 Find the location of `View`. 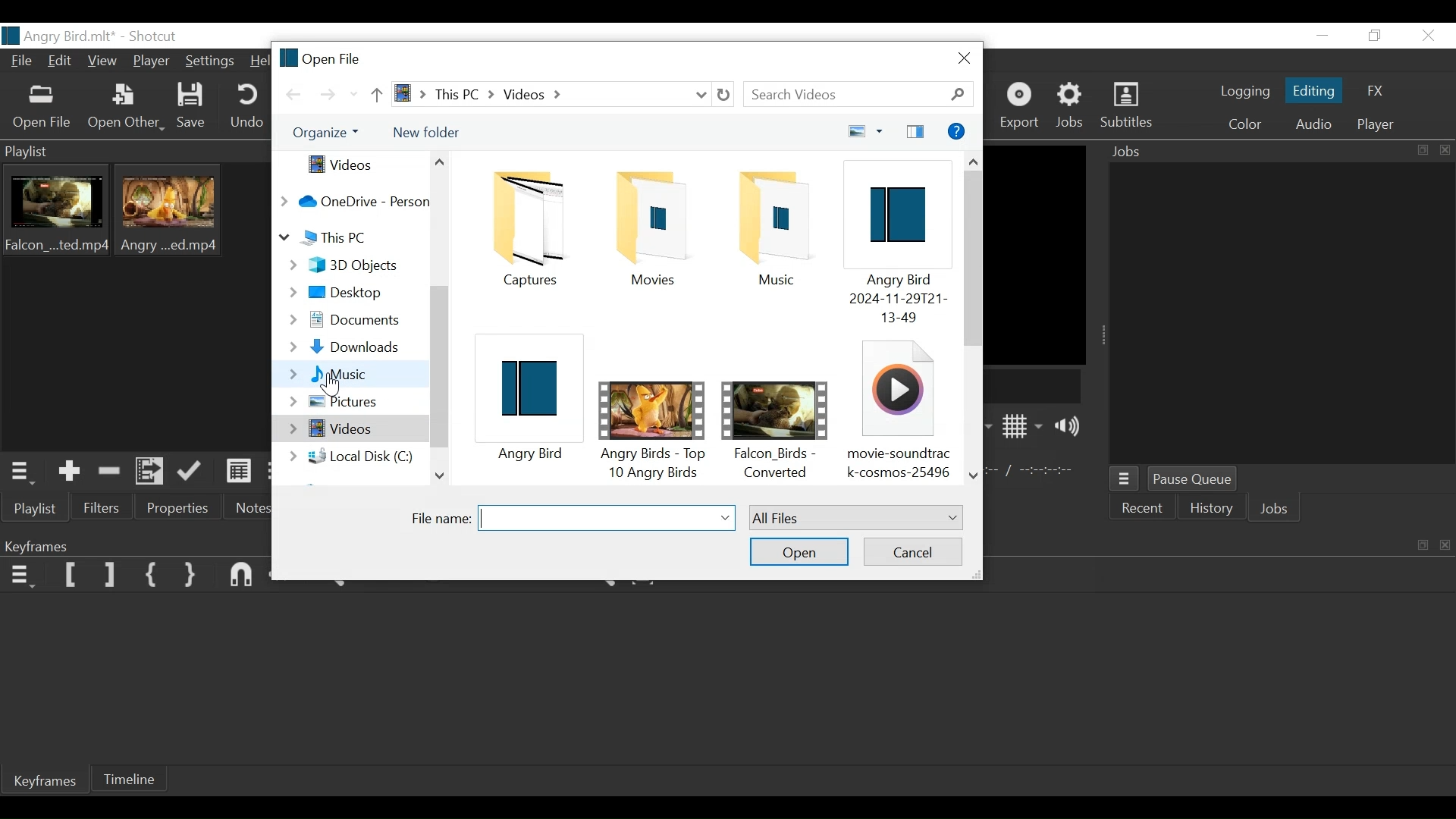

View is located at coordinates (859, 130).